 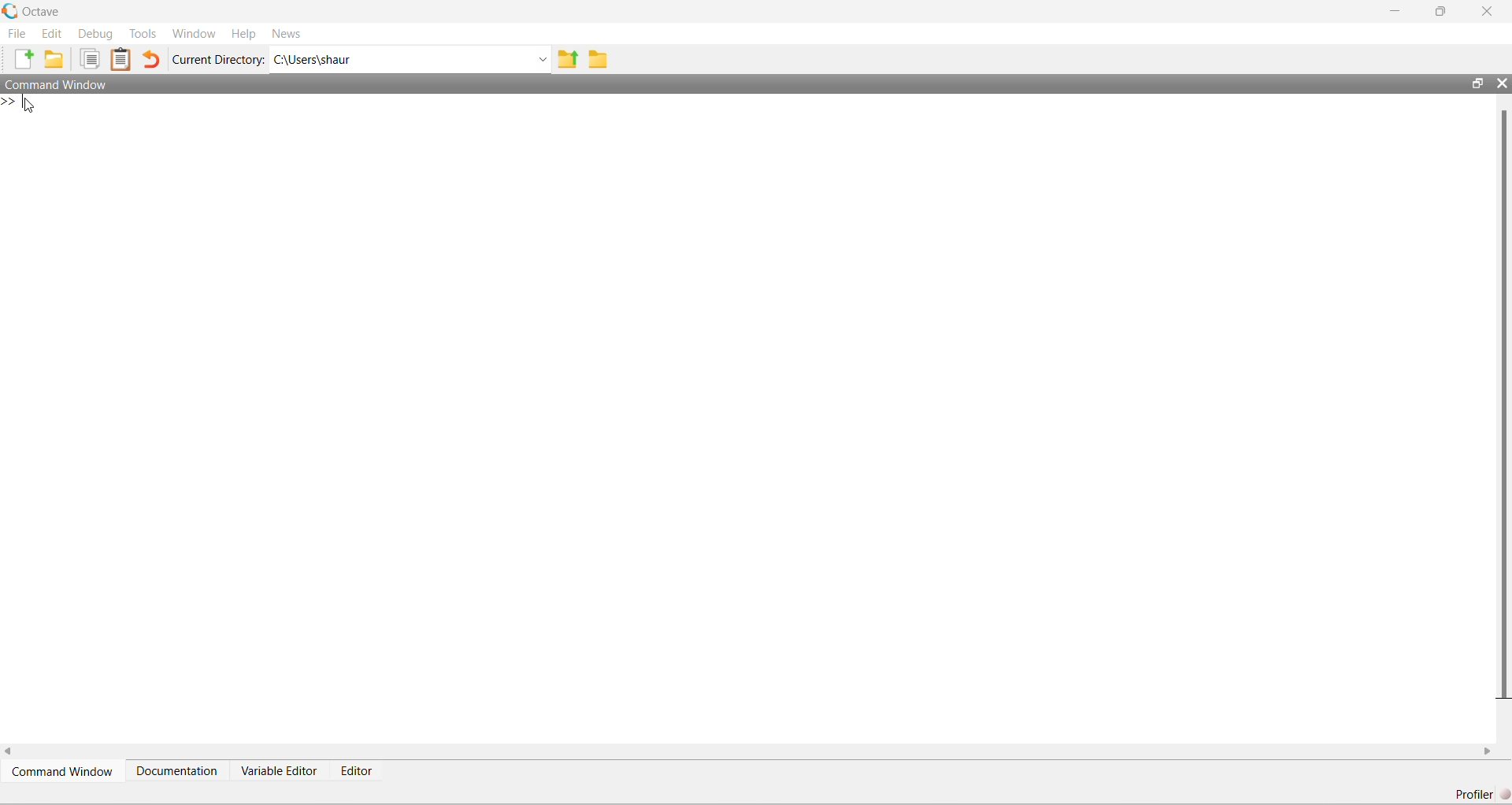 I want to click on Variable Editor, so click(x=279, y=770).